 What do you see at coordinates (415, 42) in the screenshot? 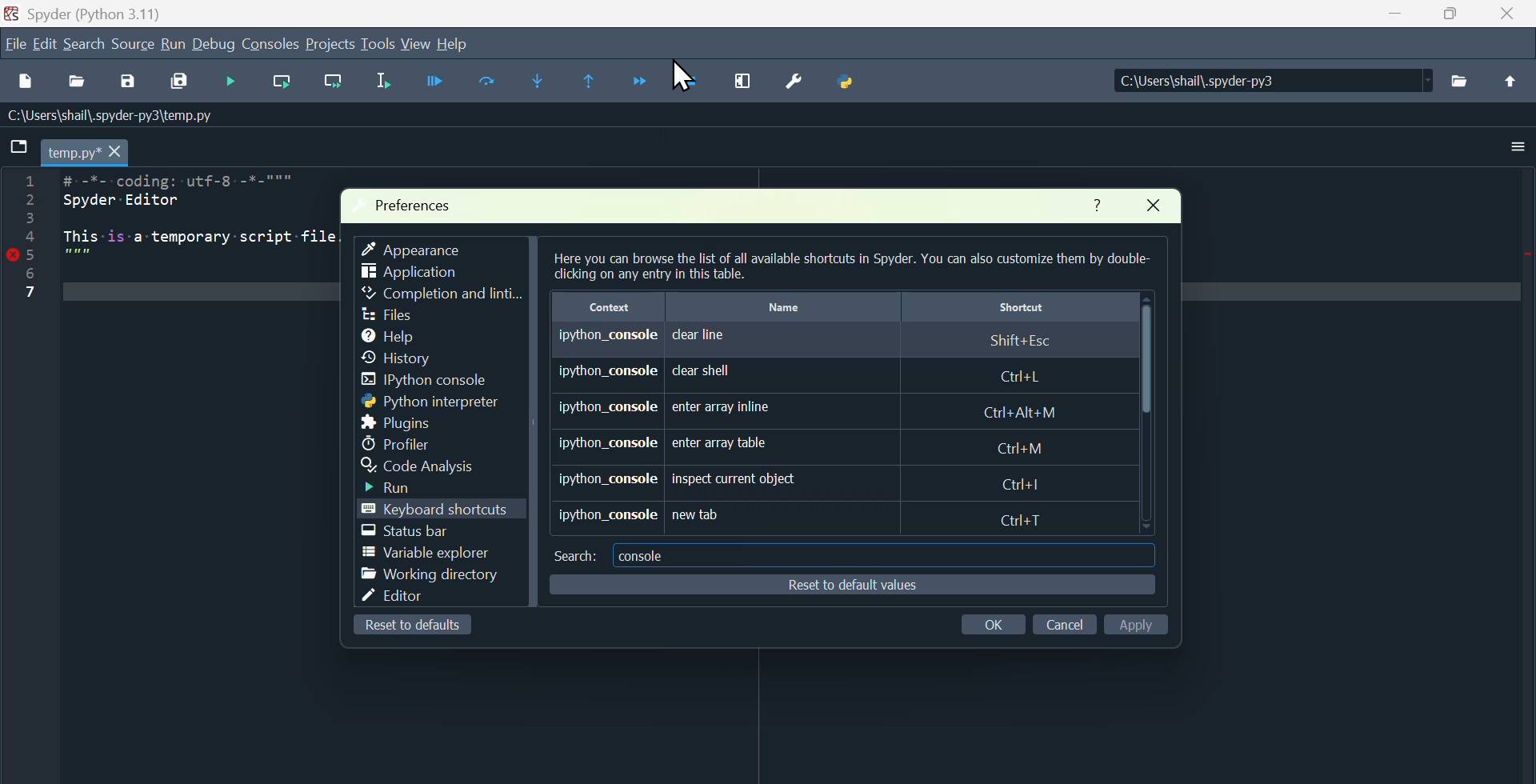
I see `view` at bounding box center [415, 42].